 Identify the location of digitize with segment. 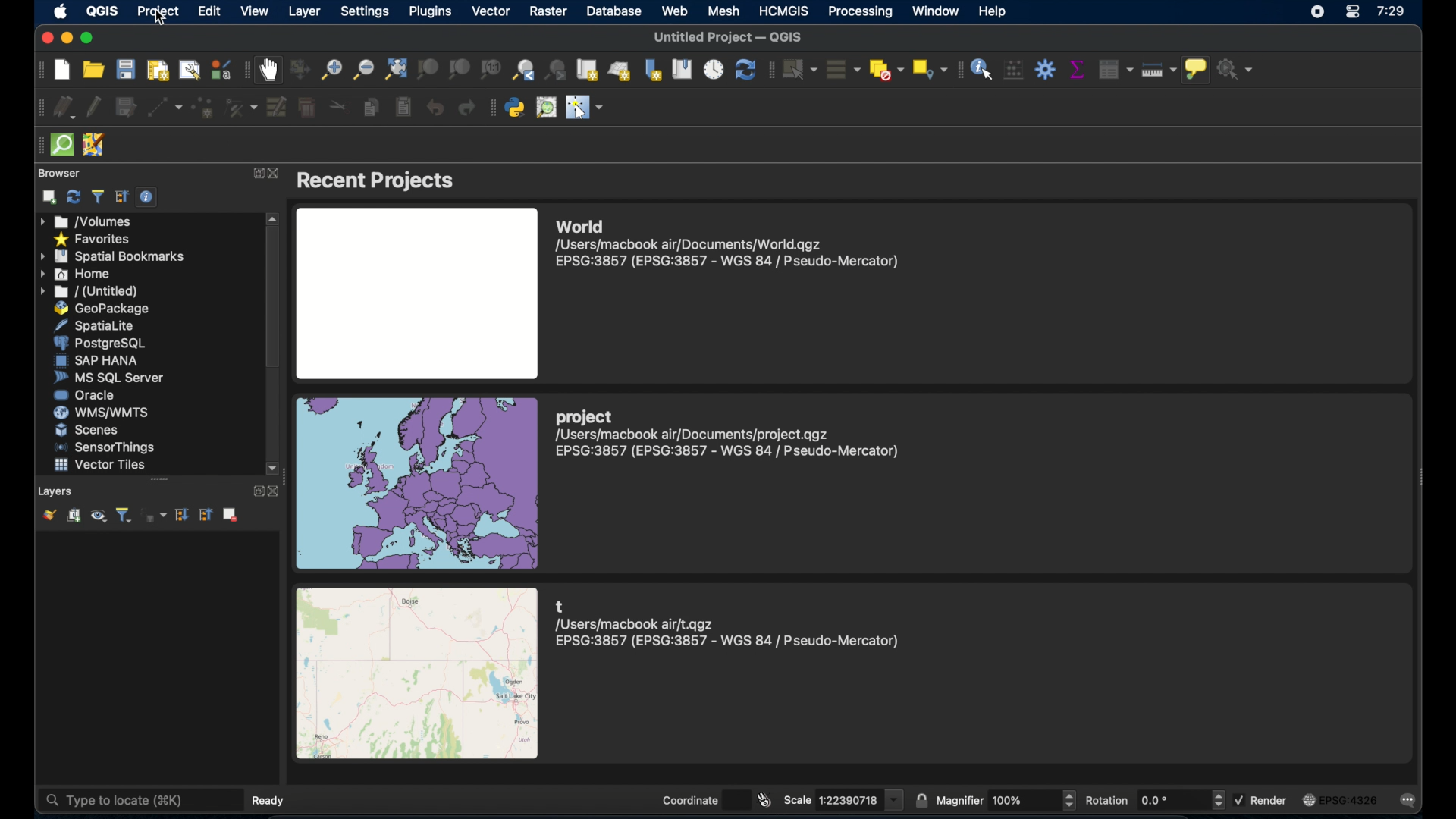
(163, 108).